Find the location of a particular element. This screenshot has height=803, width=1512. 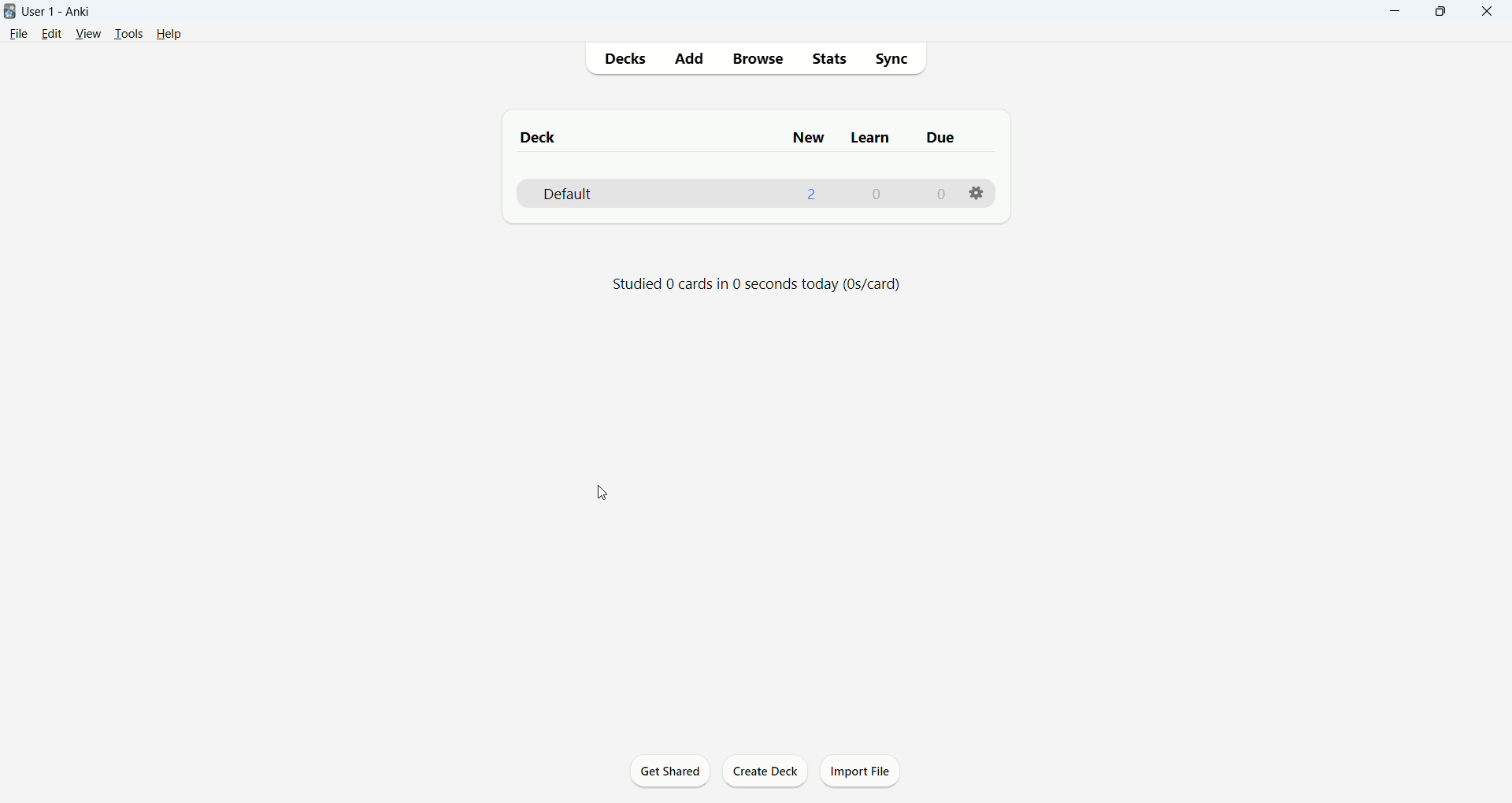

edit is located at coordinates (48, 36).